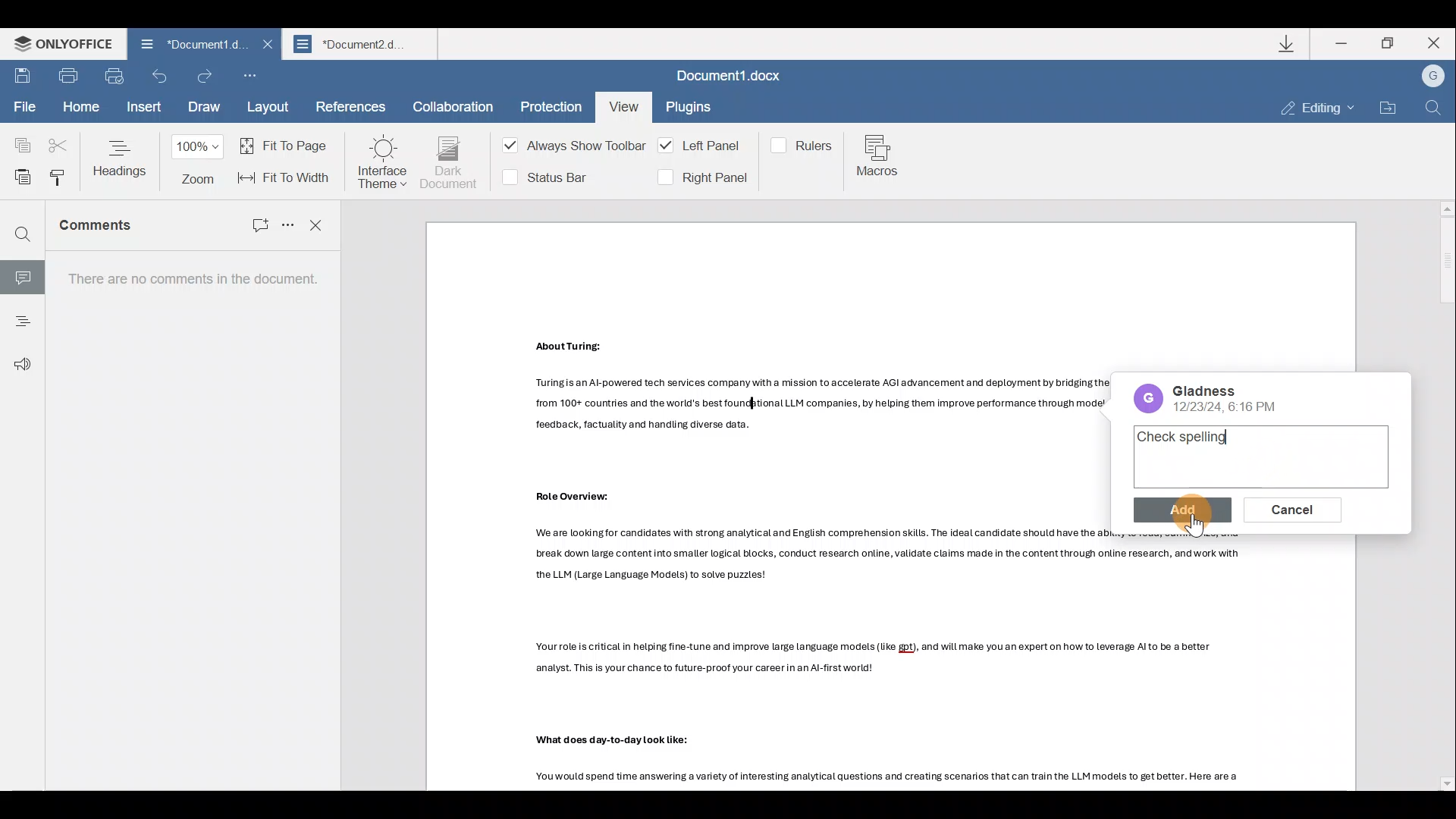 Image resolution: width=1456 pixels, height=819 pixels. What do you see at coordinates (142, 109) in the screenshot?
I see `Insert` at bounding box center [142, 109].